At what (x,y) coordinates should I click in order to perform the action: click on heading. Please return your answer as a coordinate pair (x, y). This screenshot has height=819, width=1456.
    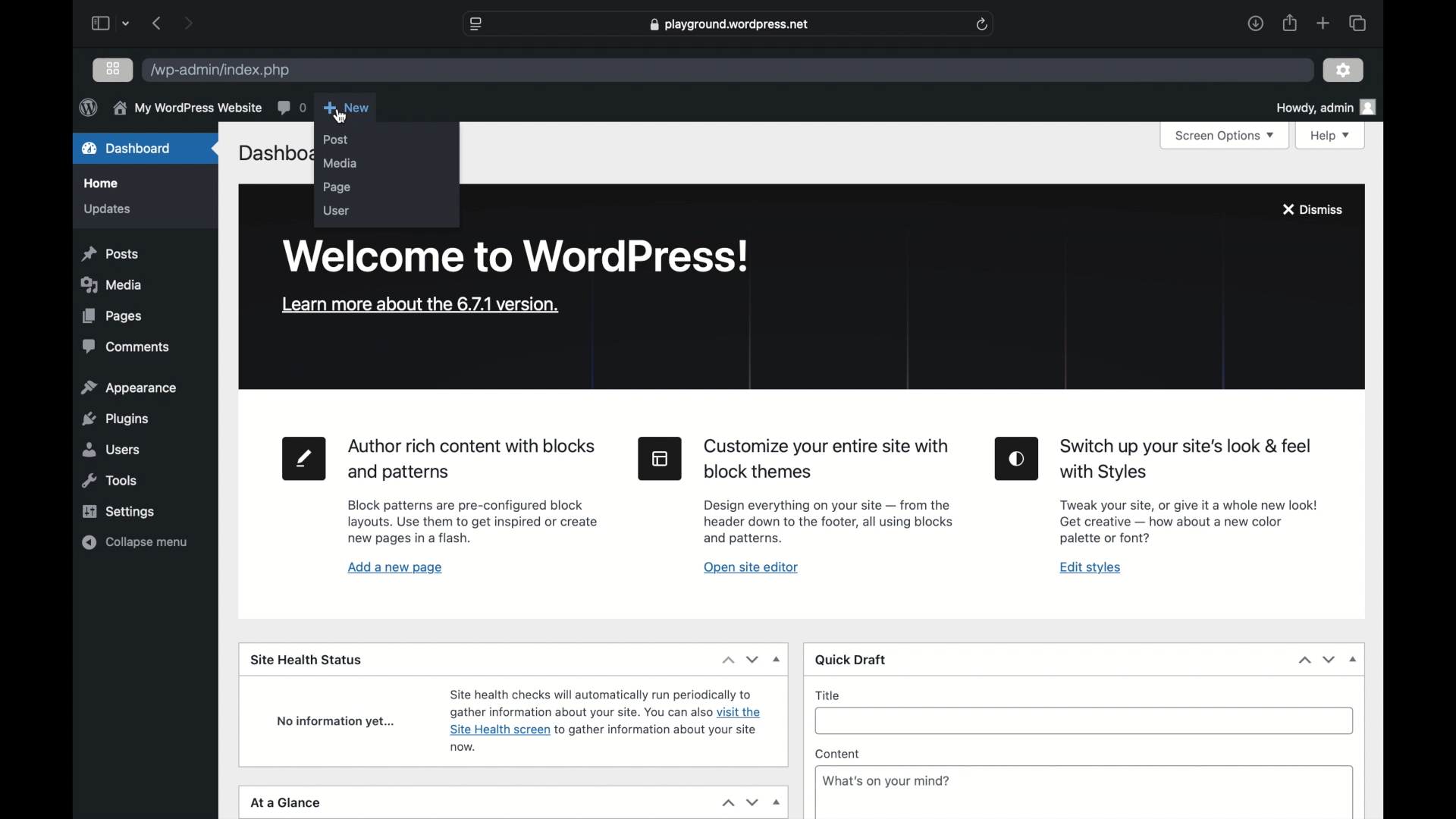
    Looking at the image, I should click on (1188, 460).